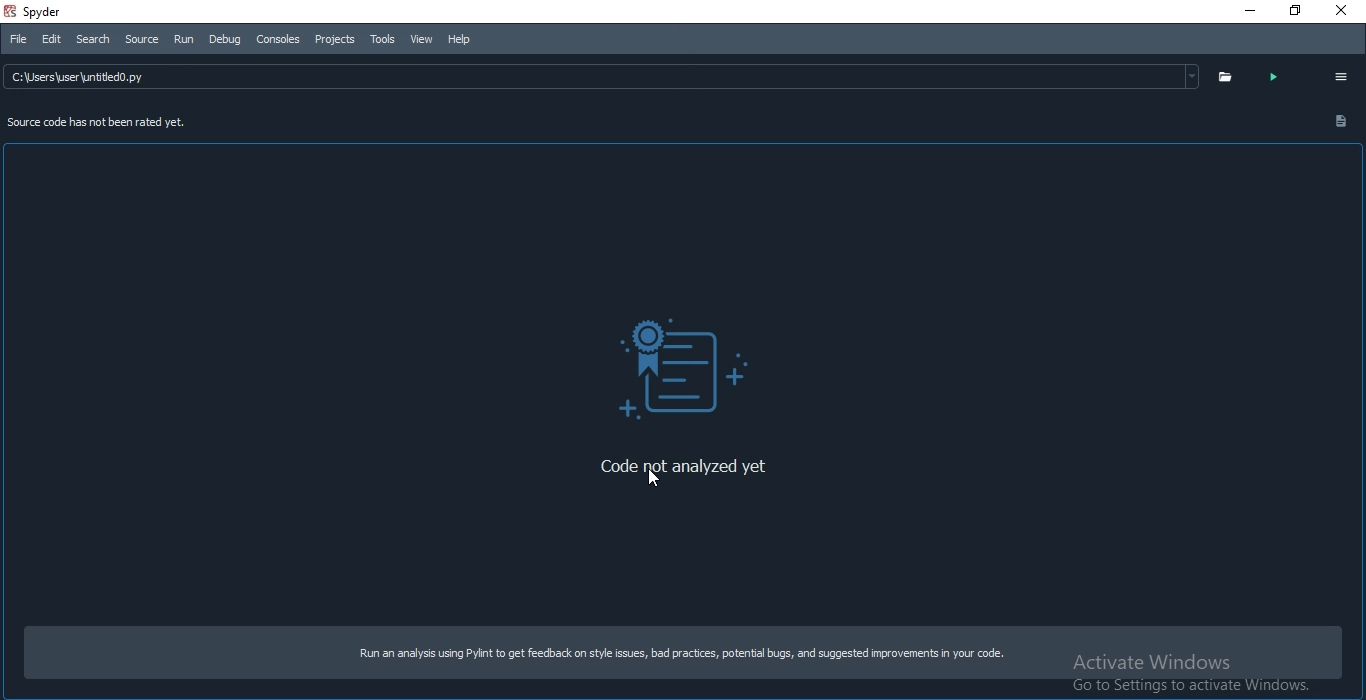 This screenshot has height=700, width=1366. What do you see at coordinates (90, 39) in the screenshot?
I see `search` at bounding box center [90, 39].